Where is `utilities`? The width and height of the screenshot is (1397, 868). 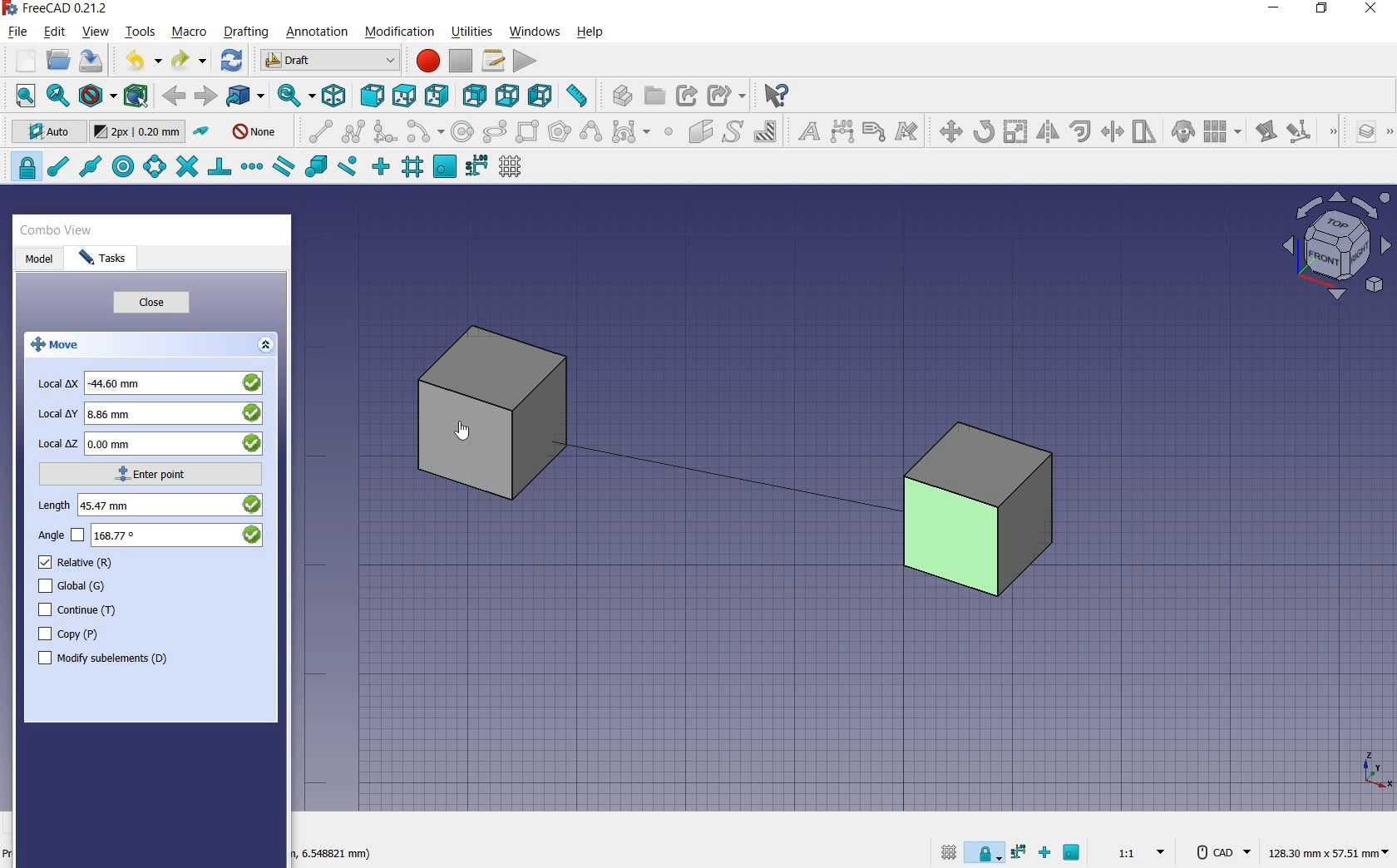 utilities is located at coordinates (474, 31).